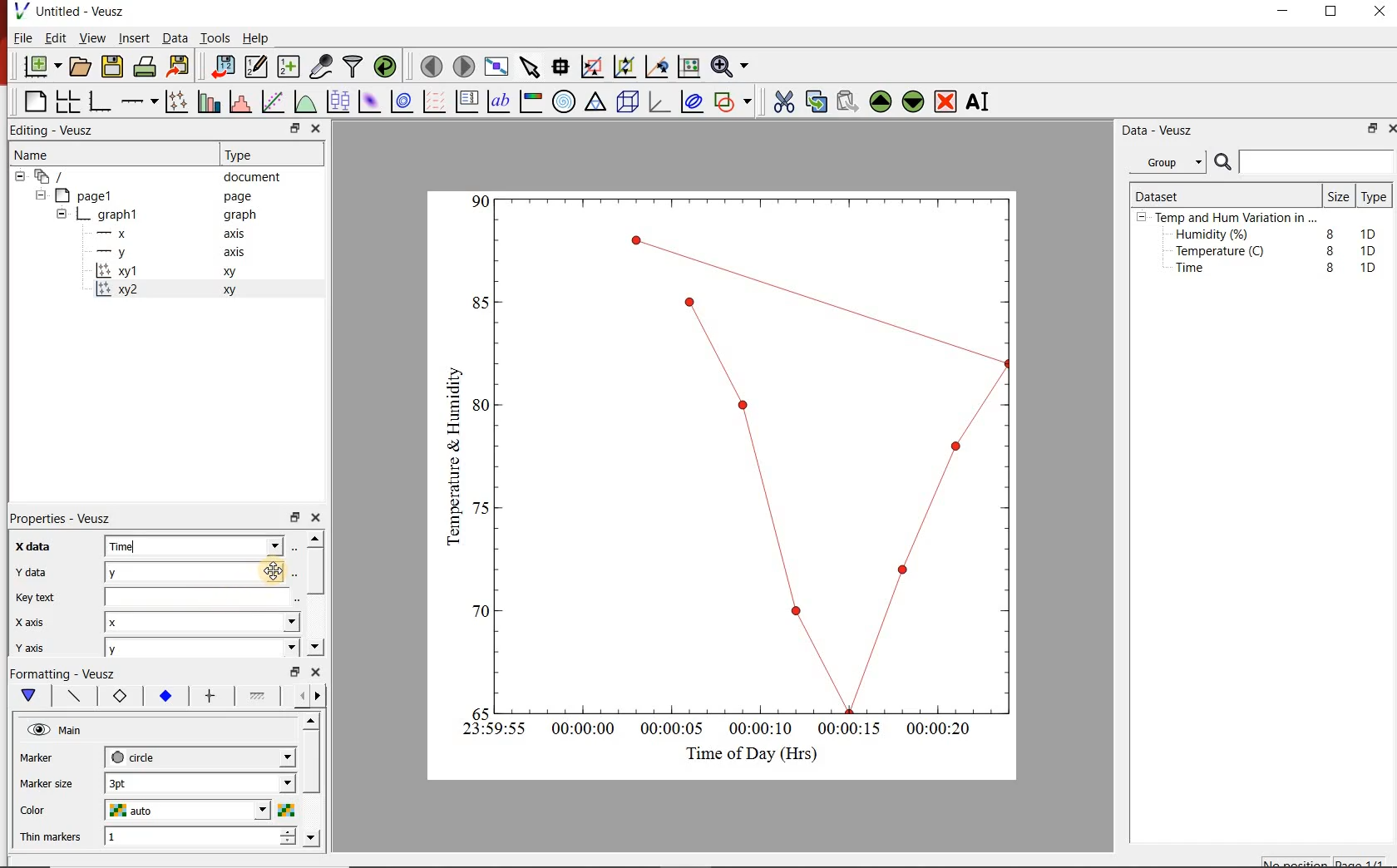  Describe the element at coordinates (502, 101) in the screenshot. I see `text label` at that location.